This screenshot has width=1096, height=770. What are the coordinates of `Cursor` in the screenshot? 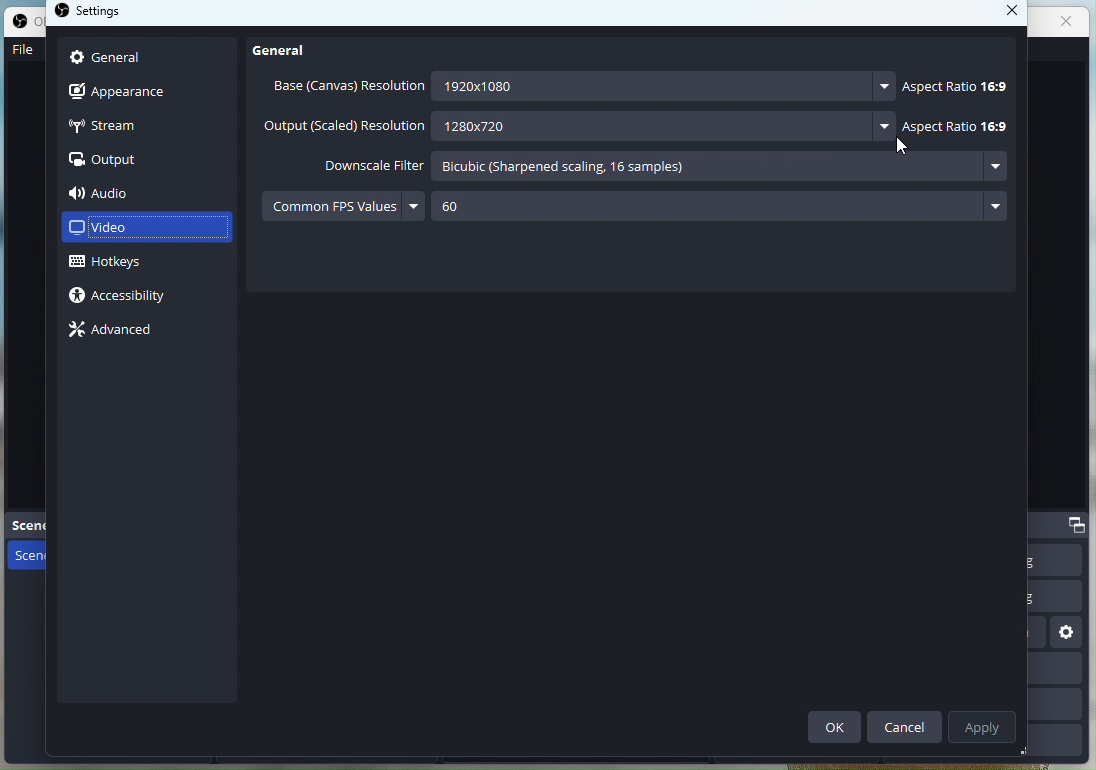 It's located at (901, 147).